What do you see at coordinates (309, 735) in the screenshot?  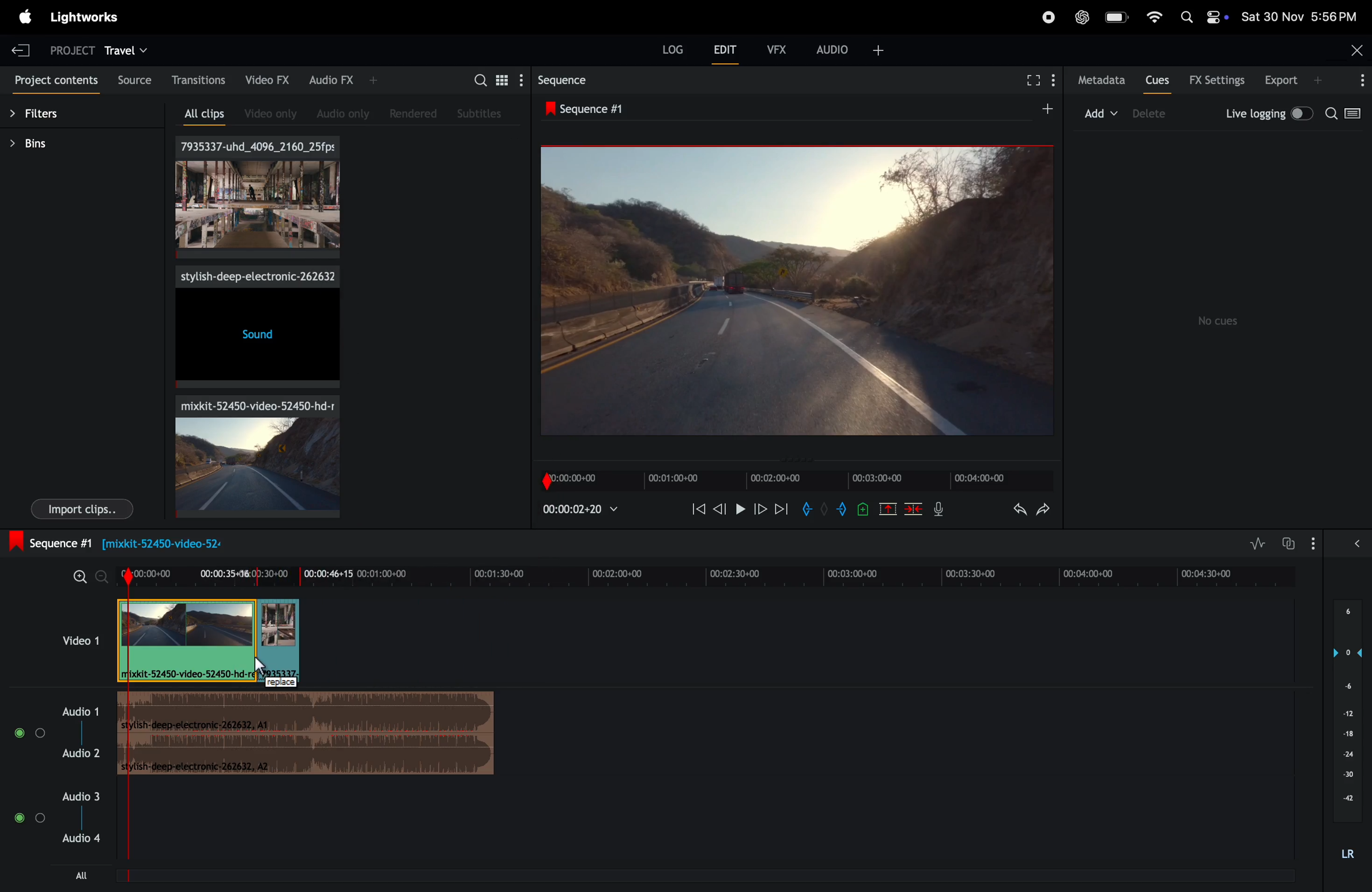 I see `audip track` at bounding box center [309, 735].